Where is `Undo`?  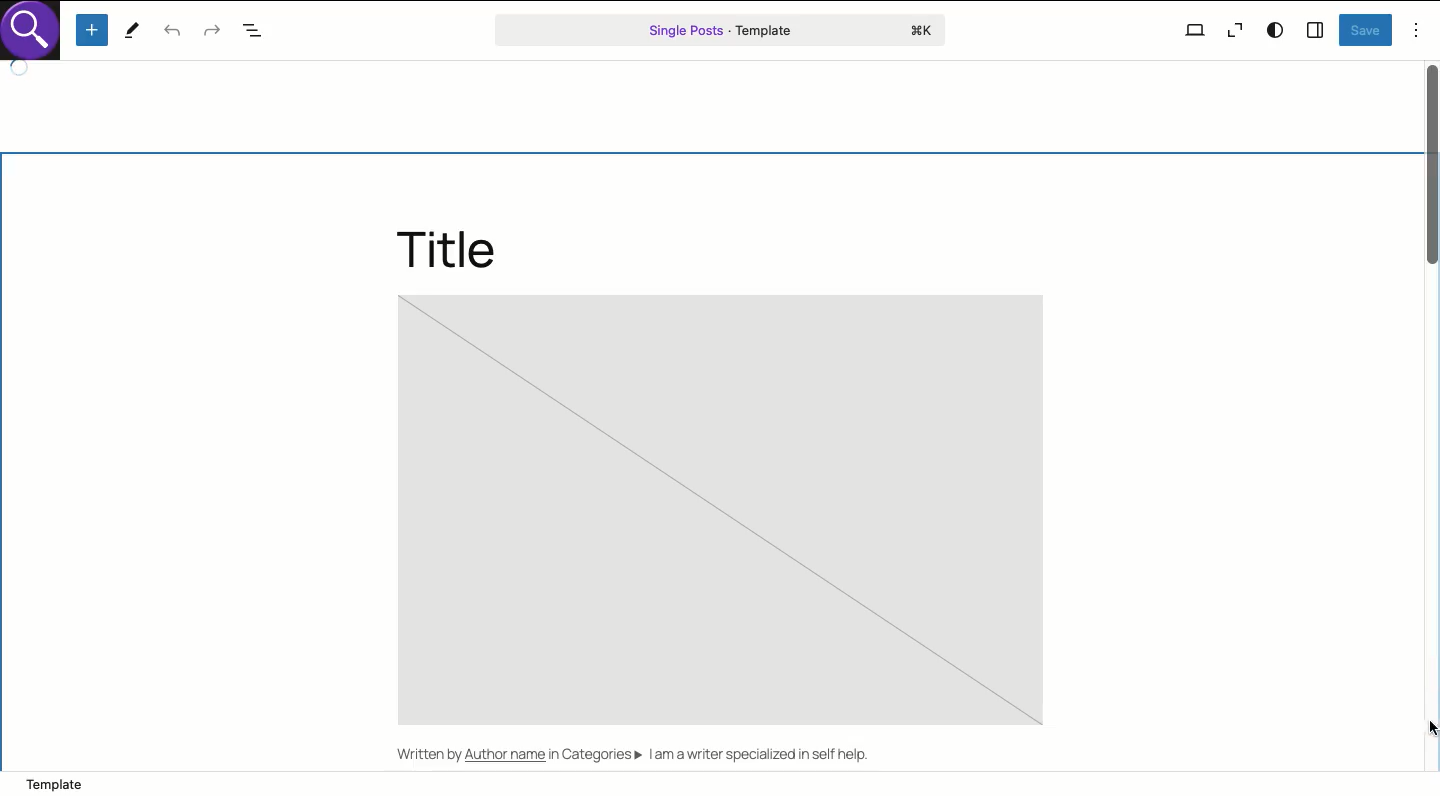
Undo is located at coordinates (172, 32).